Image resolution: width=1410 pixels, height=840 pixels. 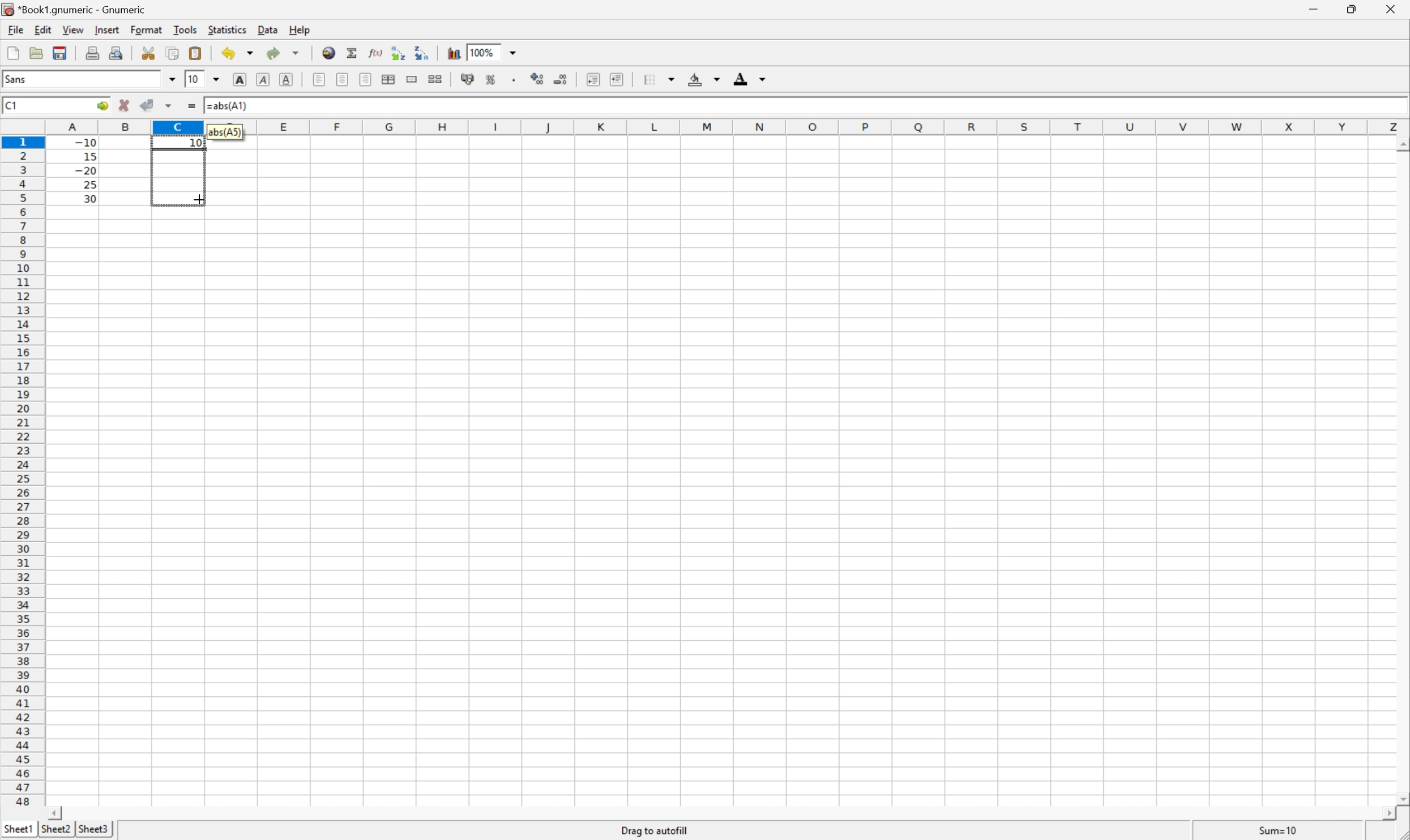 What do you see at coordinates (435, 78) in the screenshot?
I see `split merged ranges of cells` at bounding box center [435, 78].